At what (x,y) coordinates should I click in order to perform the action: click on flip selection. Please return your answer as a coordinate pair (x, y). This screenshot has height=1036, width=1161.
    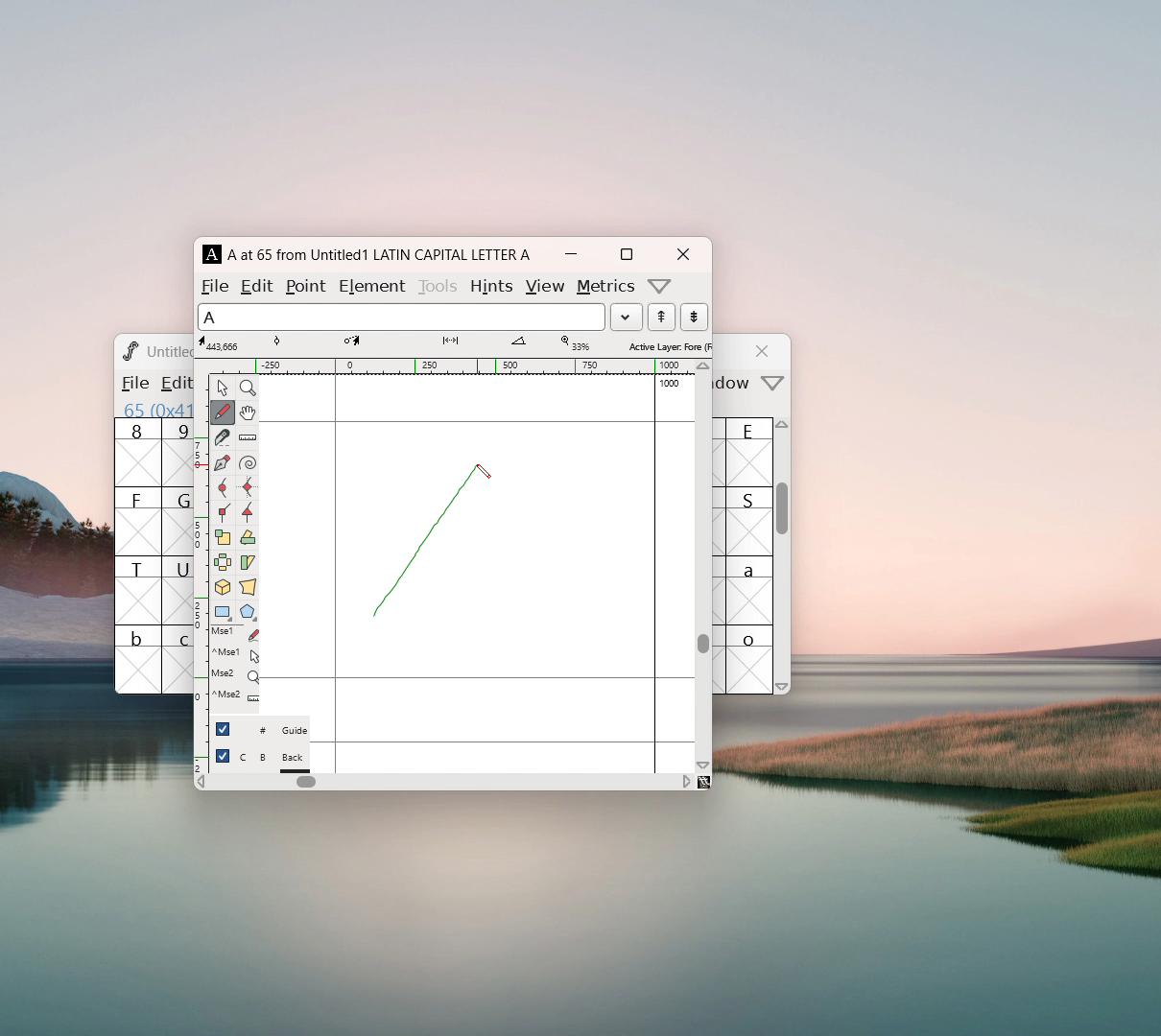
    Looking at the image, I should click on (223, 565).